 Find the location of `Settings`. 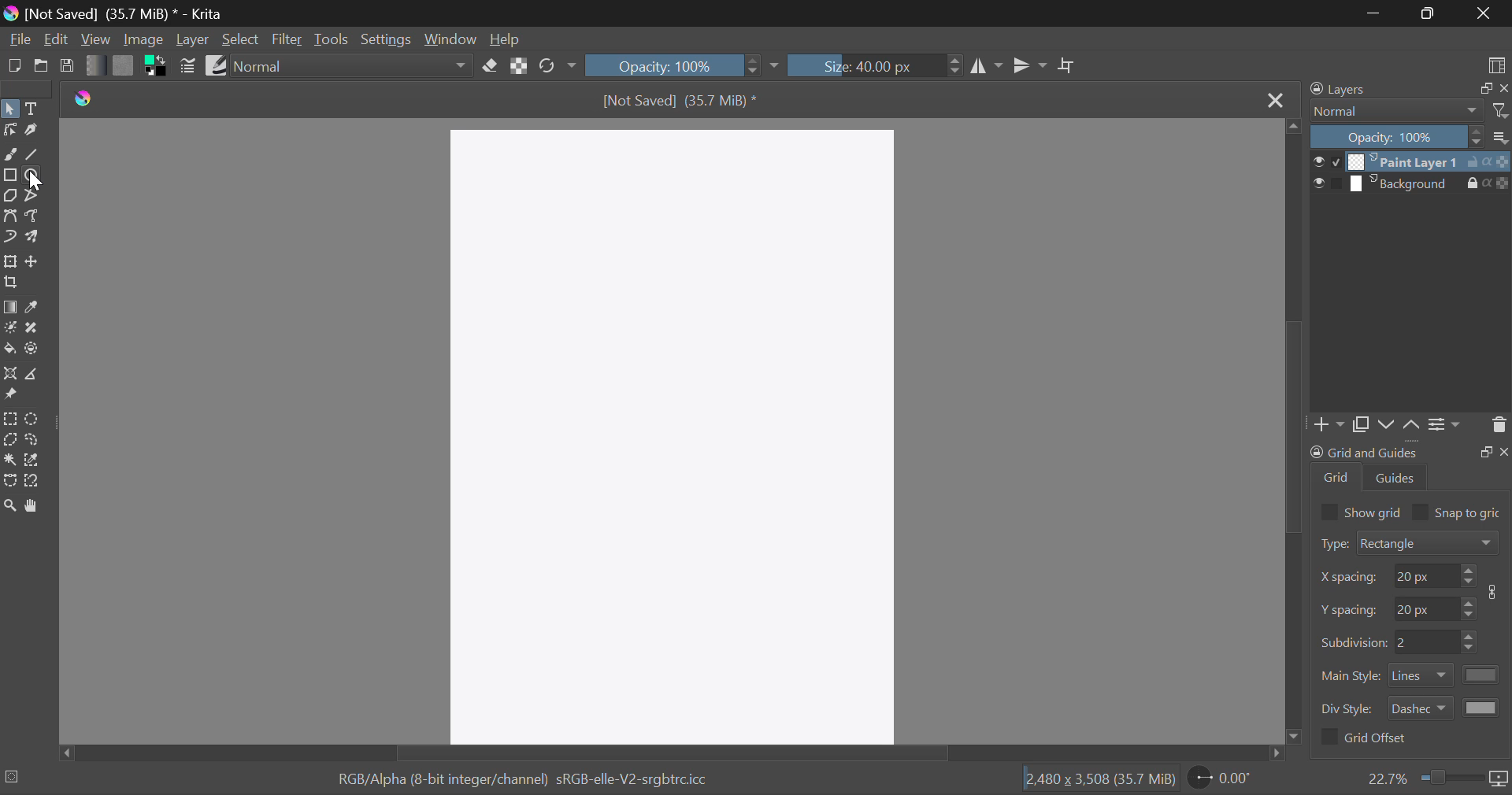

Settings is located at coordinates (1447, 429).